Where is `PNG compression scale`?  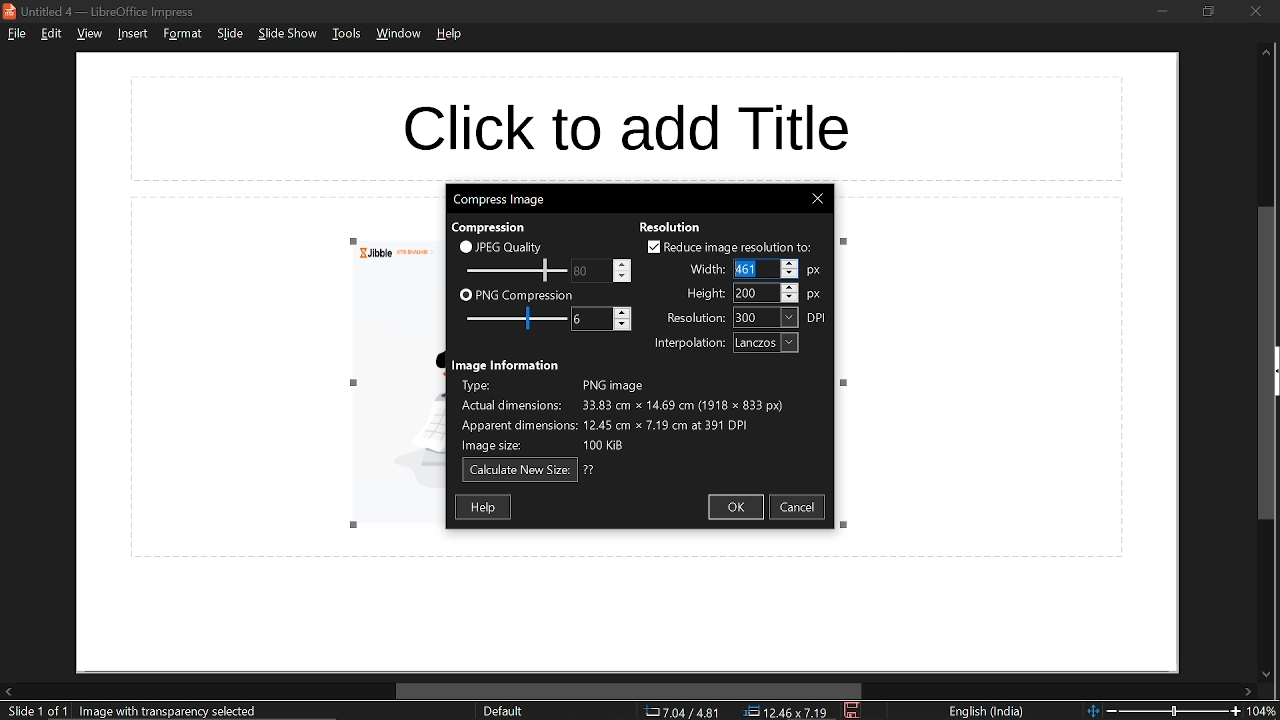
PNG compression scale is located at coordinates (513, 318).